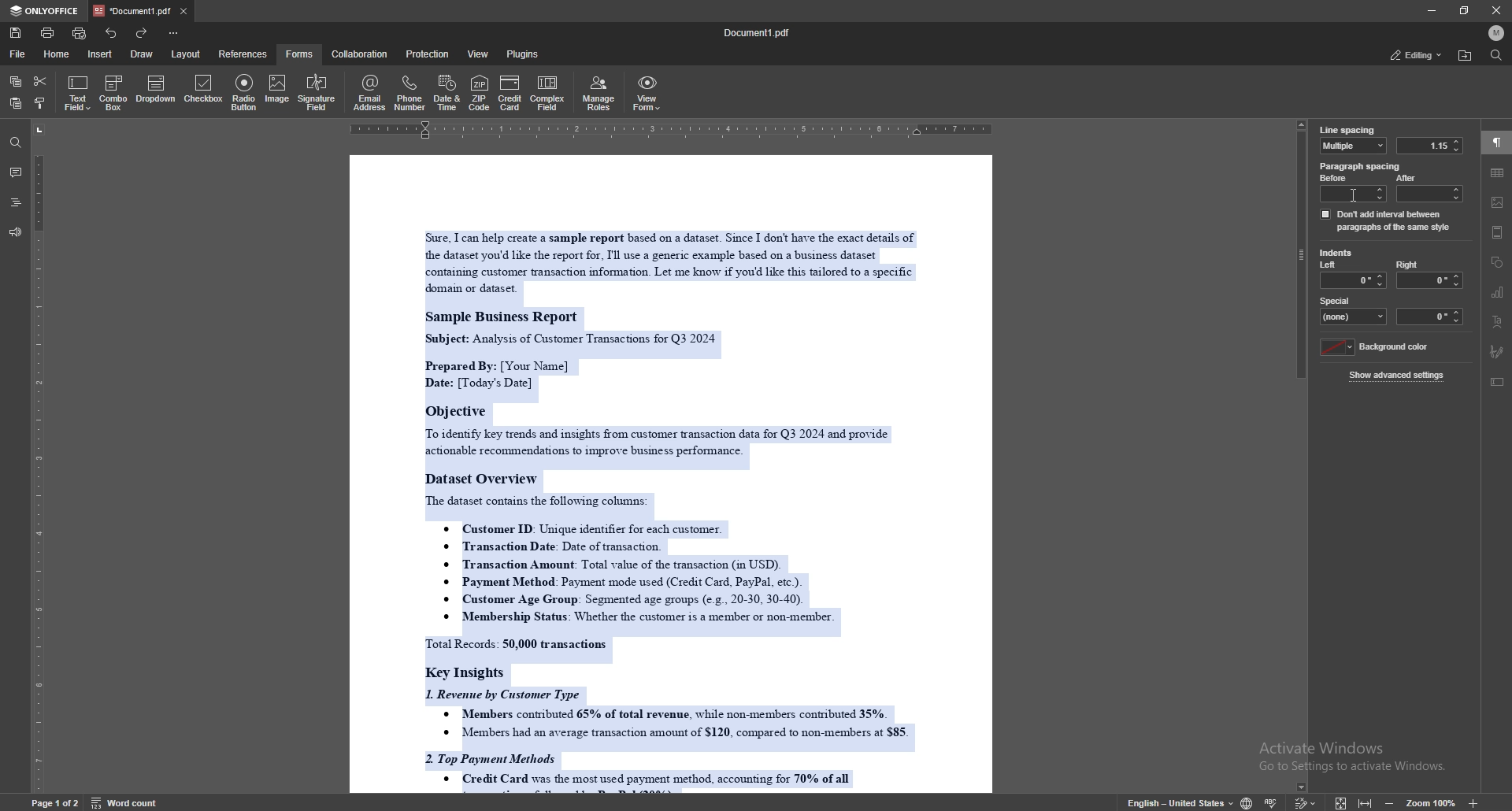 Image resolution: width=1512 pixels, height=811 pixels. I want to click on table, so click(1498, 172).